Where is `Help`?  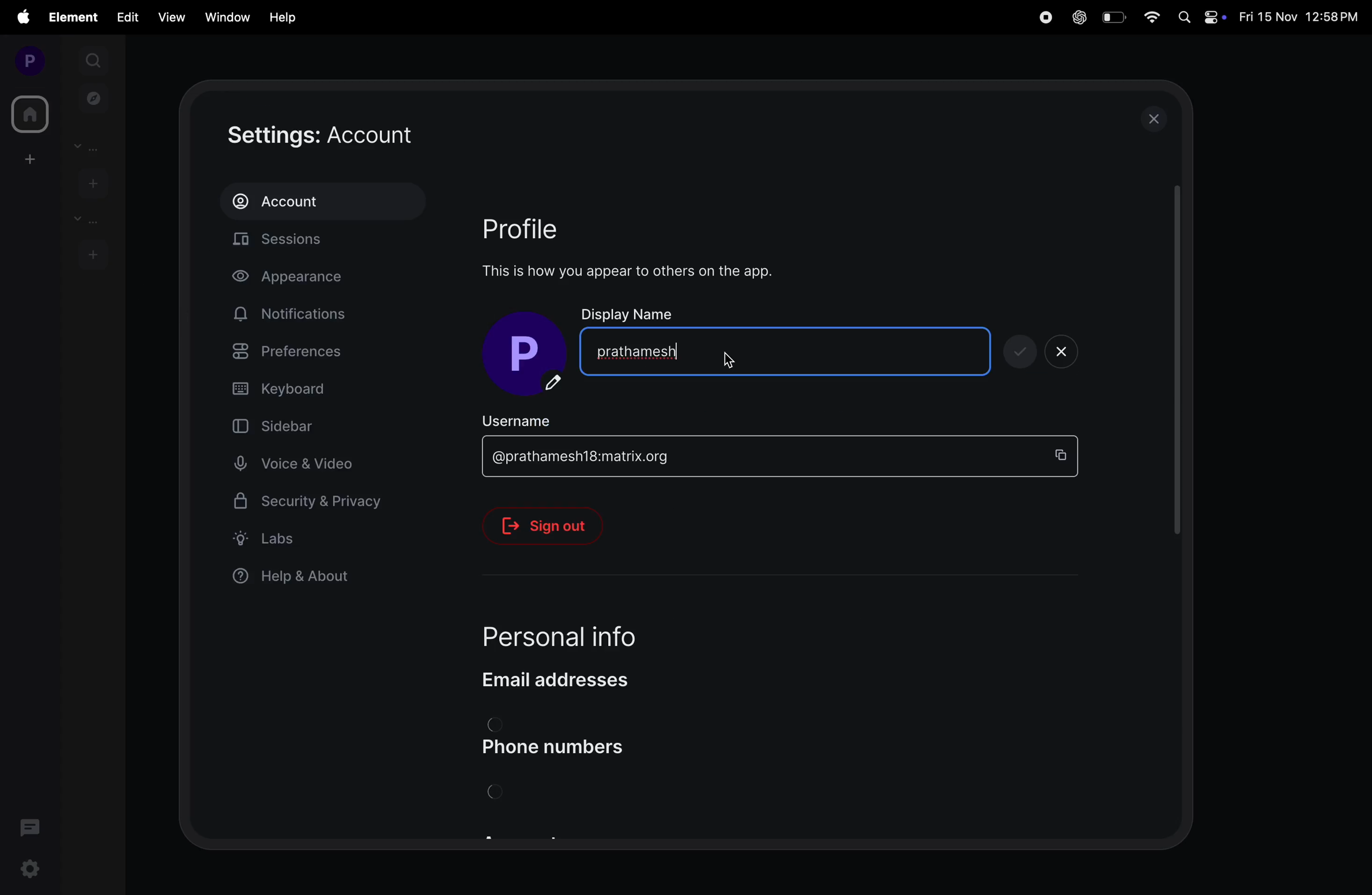 Help is located at coordinates (284, 17).